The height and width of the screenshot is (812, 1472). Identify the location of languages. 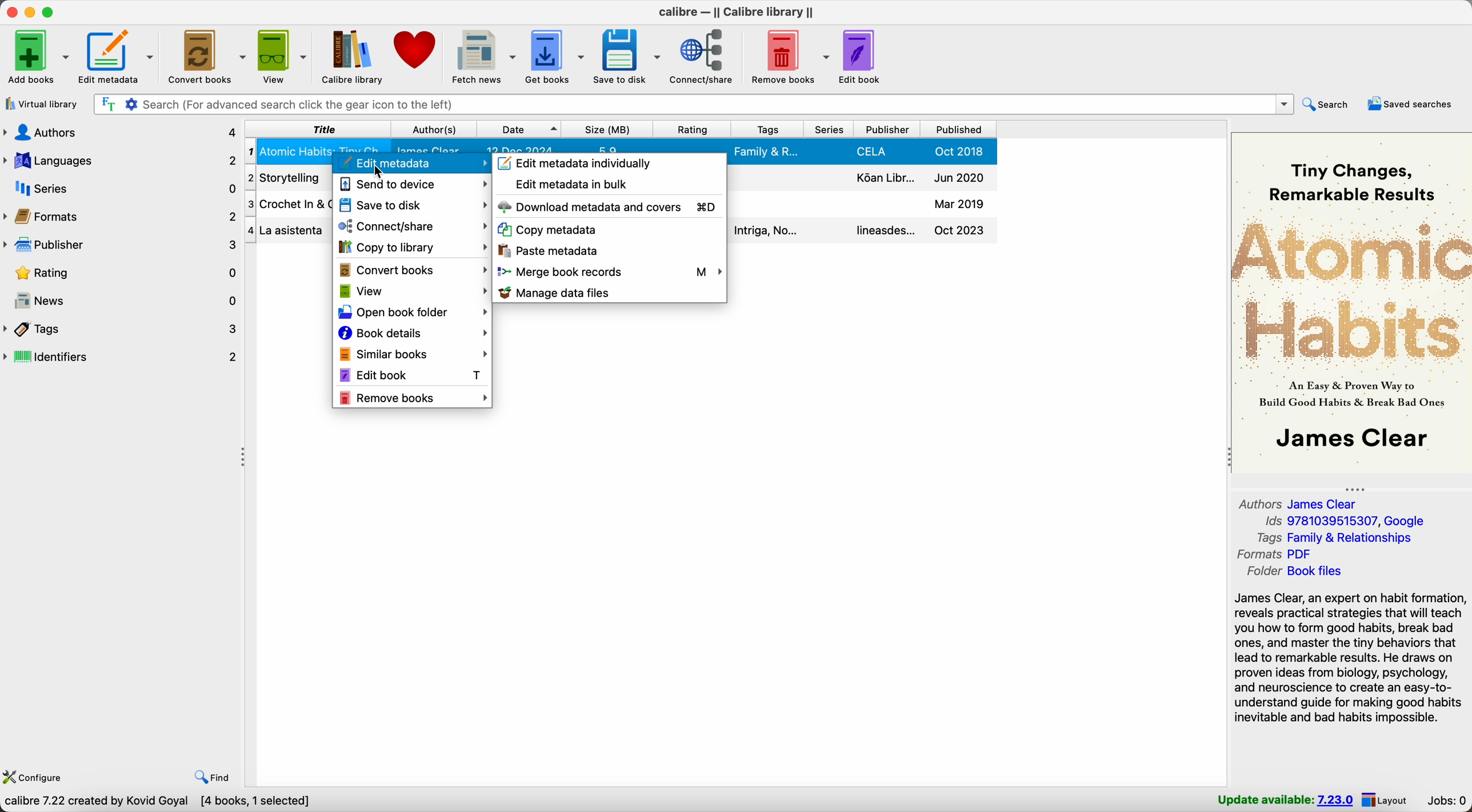
(121, 159).